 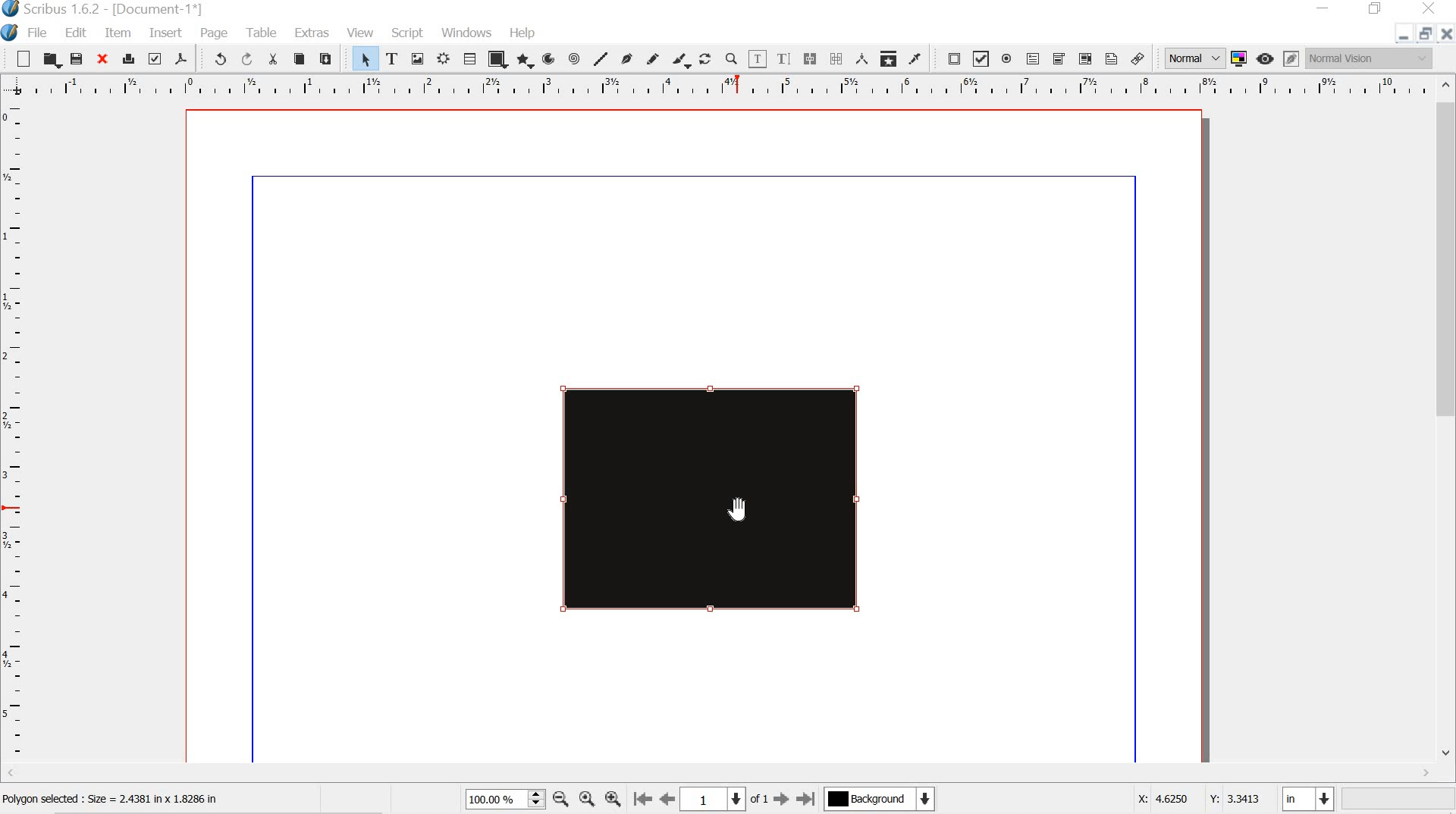 What do you see at coordinates (393, 58) in the screenshot?
I see `text frame` at bounding box center [393, 58].